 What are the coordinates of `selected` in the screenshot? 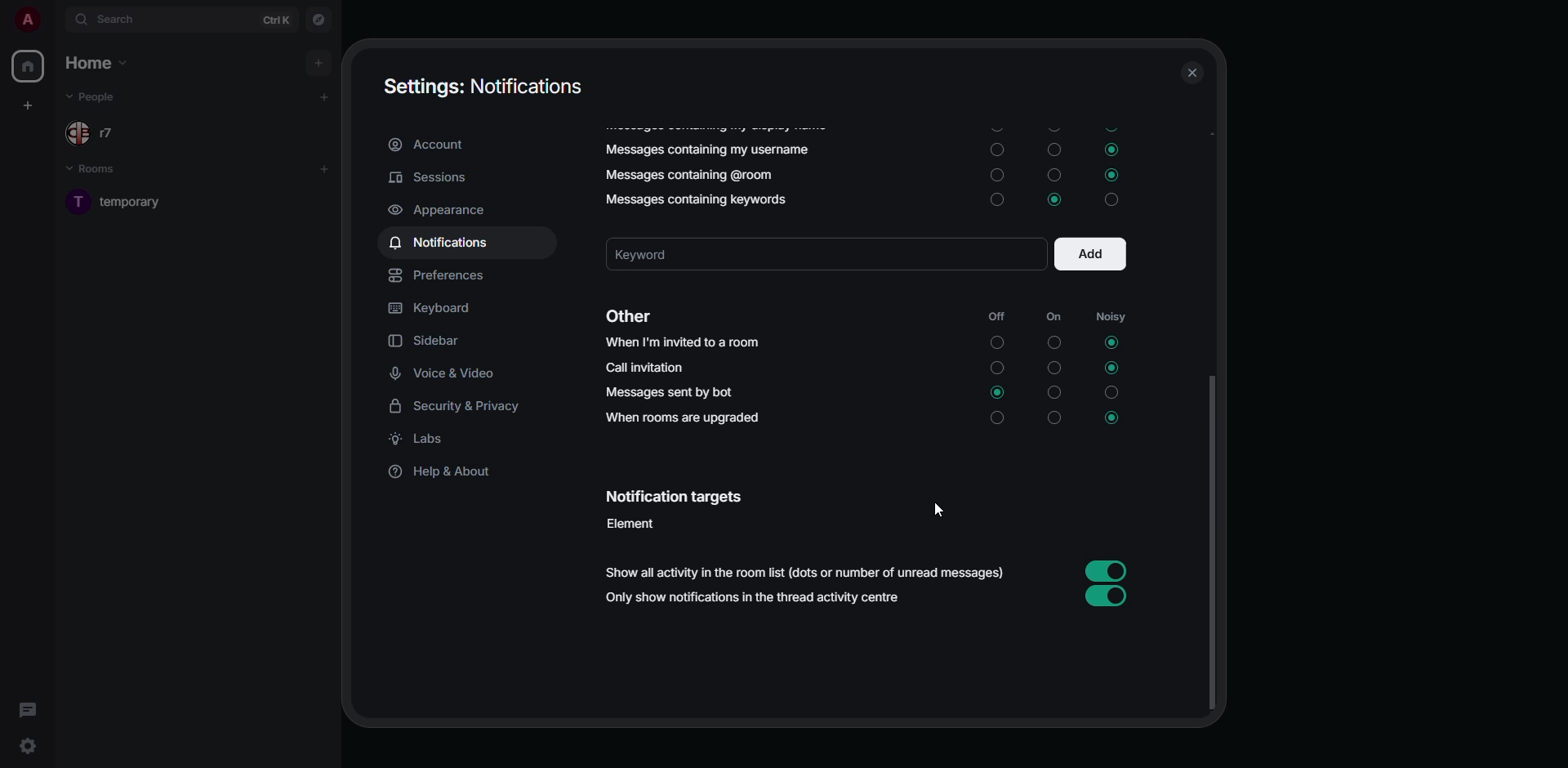 It's located at (1055, 200).